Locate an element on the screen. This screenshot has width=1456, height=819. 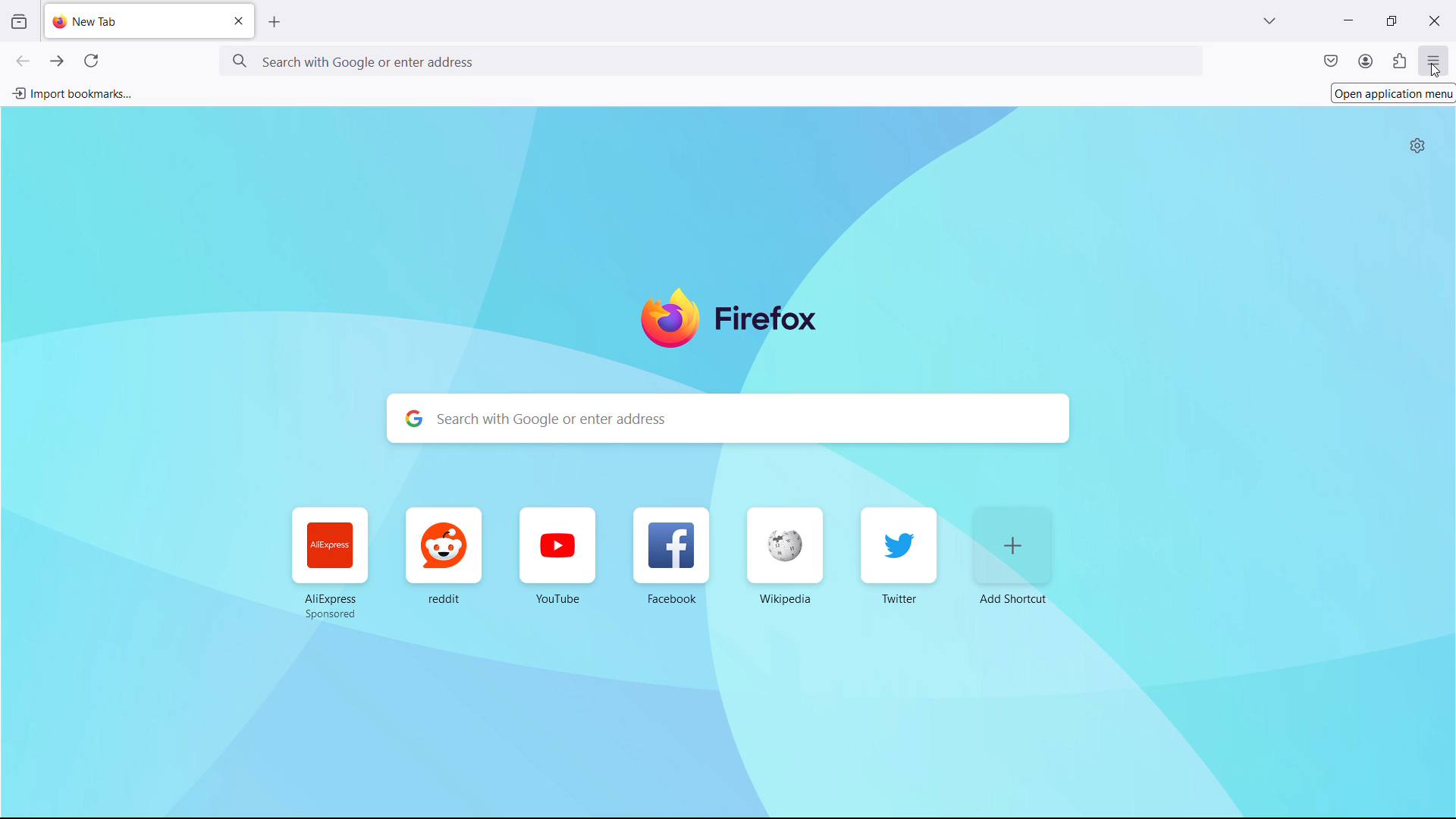
open application menu is located at coordinates (1433, 59).